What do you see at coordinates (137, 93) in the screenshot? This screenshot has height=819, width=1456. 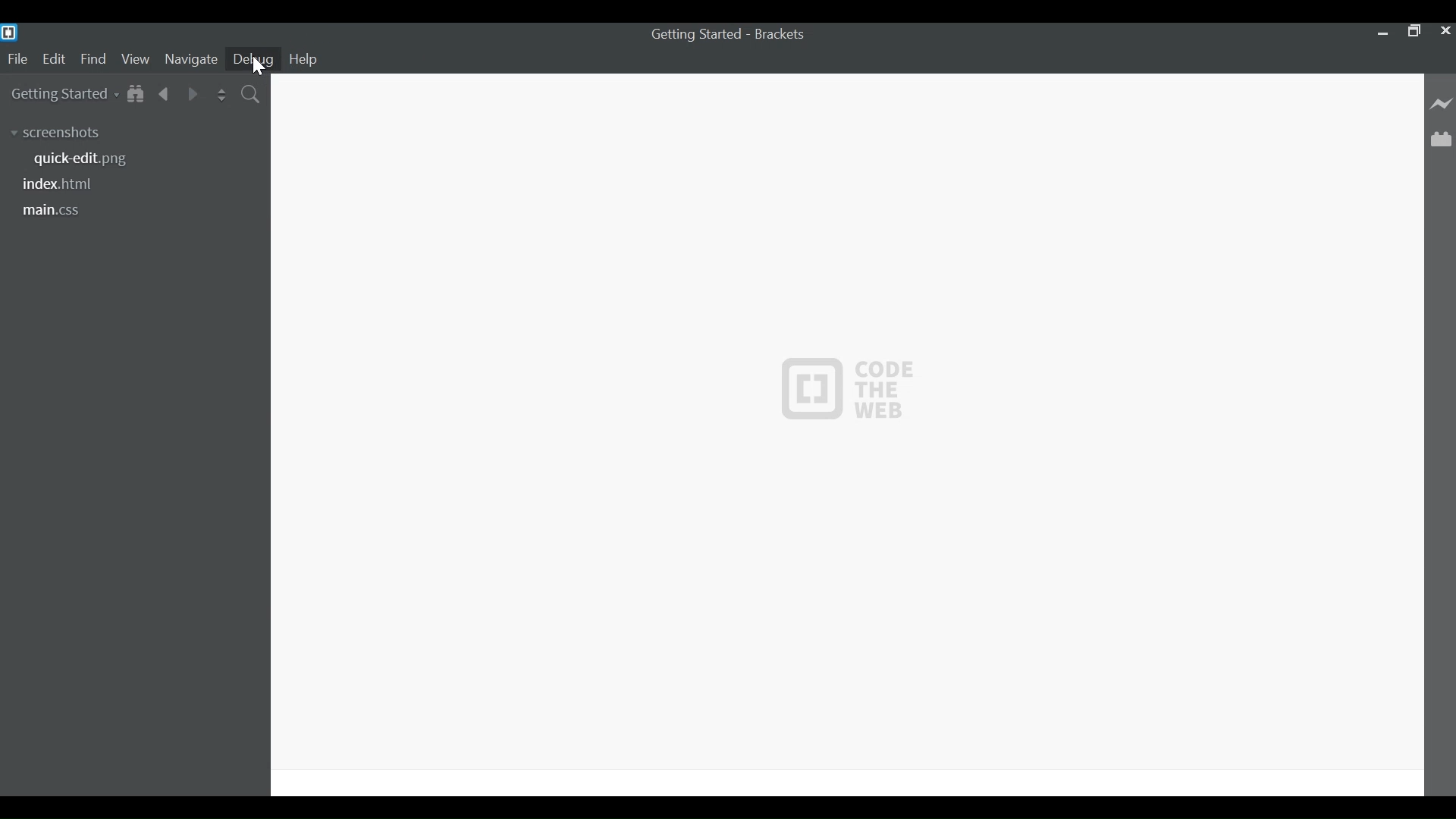 I see `Show Files in tree` at bounding box center [137, 93].